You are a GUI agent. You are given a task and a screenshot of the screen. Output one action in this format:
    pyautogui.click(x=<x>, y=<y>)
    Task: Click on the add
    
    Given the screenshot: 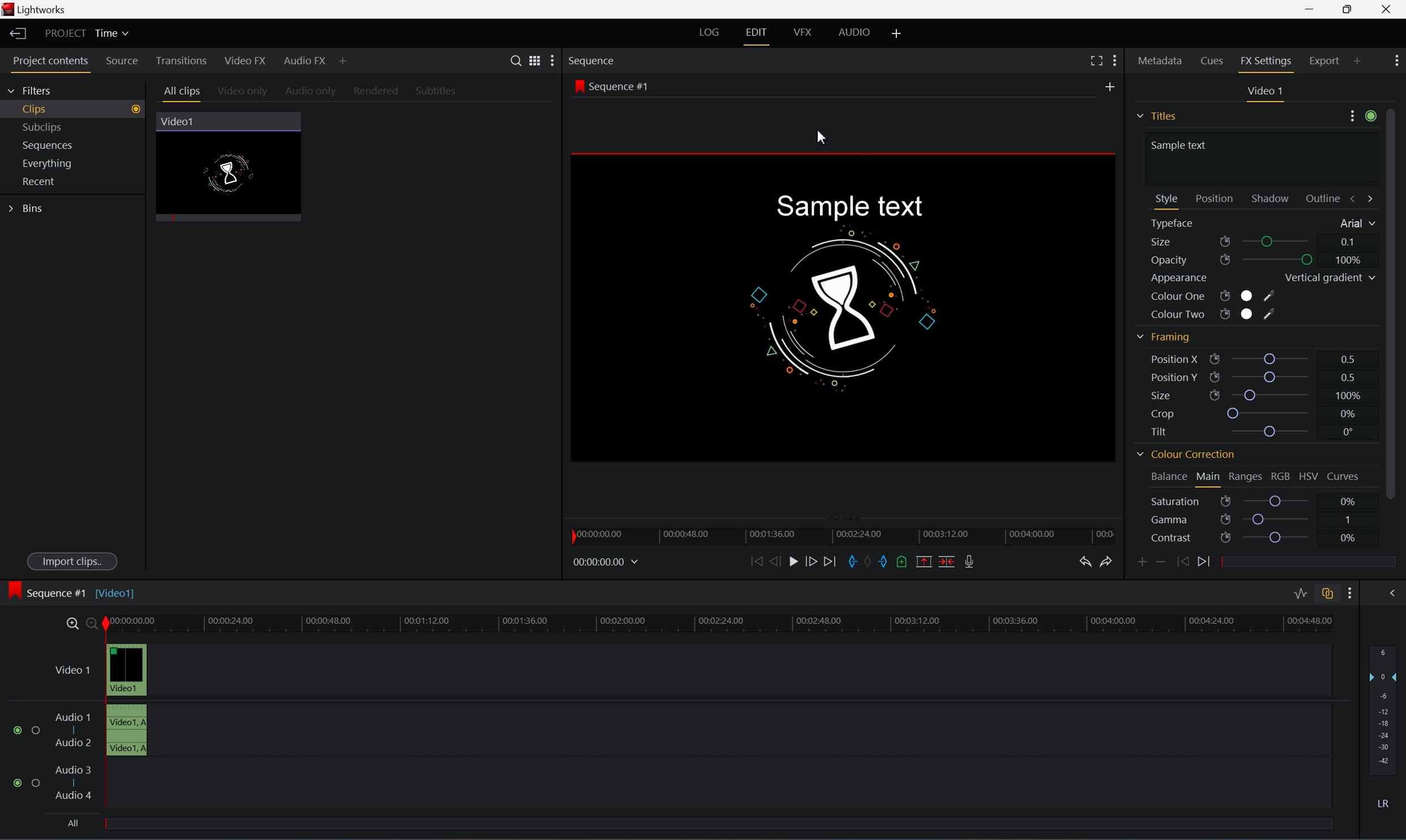 What is the action you would take?
    pyautogui.click(x=898, y=32)
    